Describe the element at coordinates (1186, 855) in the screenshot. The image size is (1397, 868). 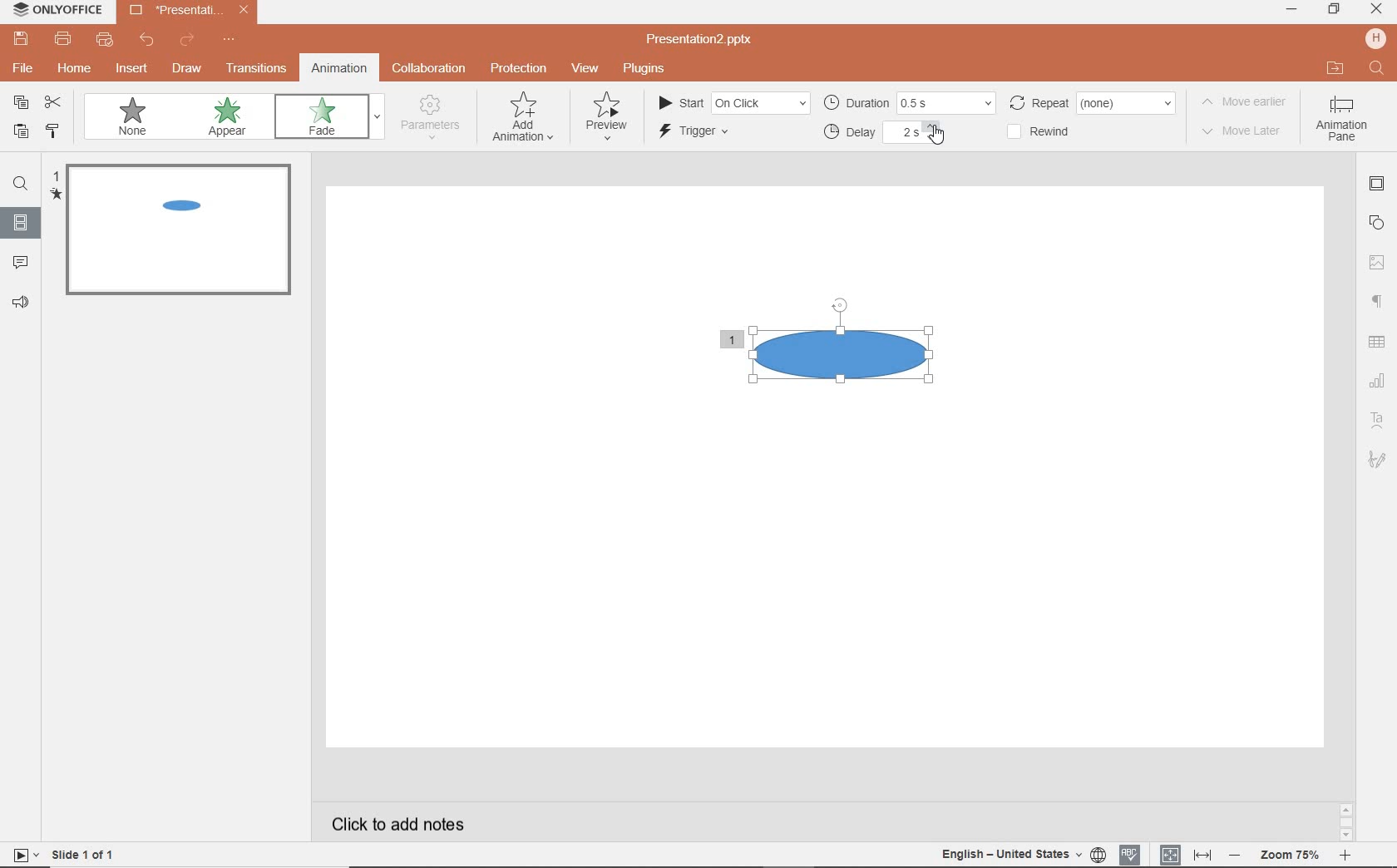
I see `FIT TO SLIDE / FIT TO WIDTH` at that location.